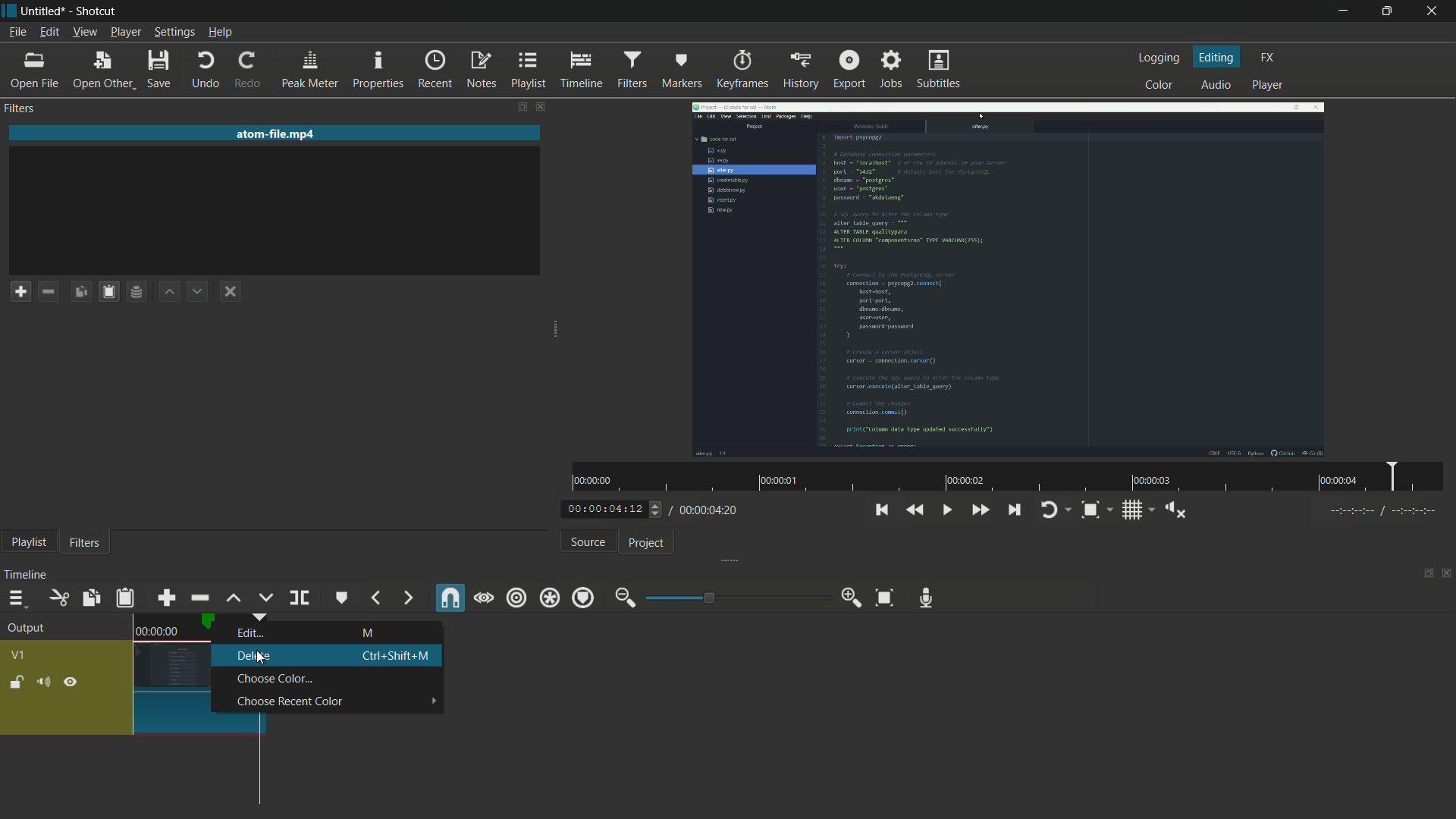 The image size is (1456, 819). What do you see at coordinates (1158, 58) in the screenshot?
I see `logging` at bounding box center [1158, 58].